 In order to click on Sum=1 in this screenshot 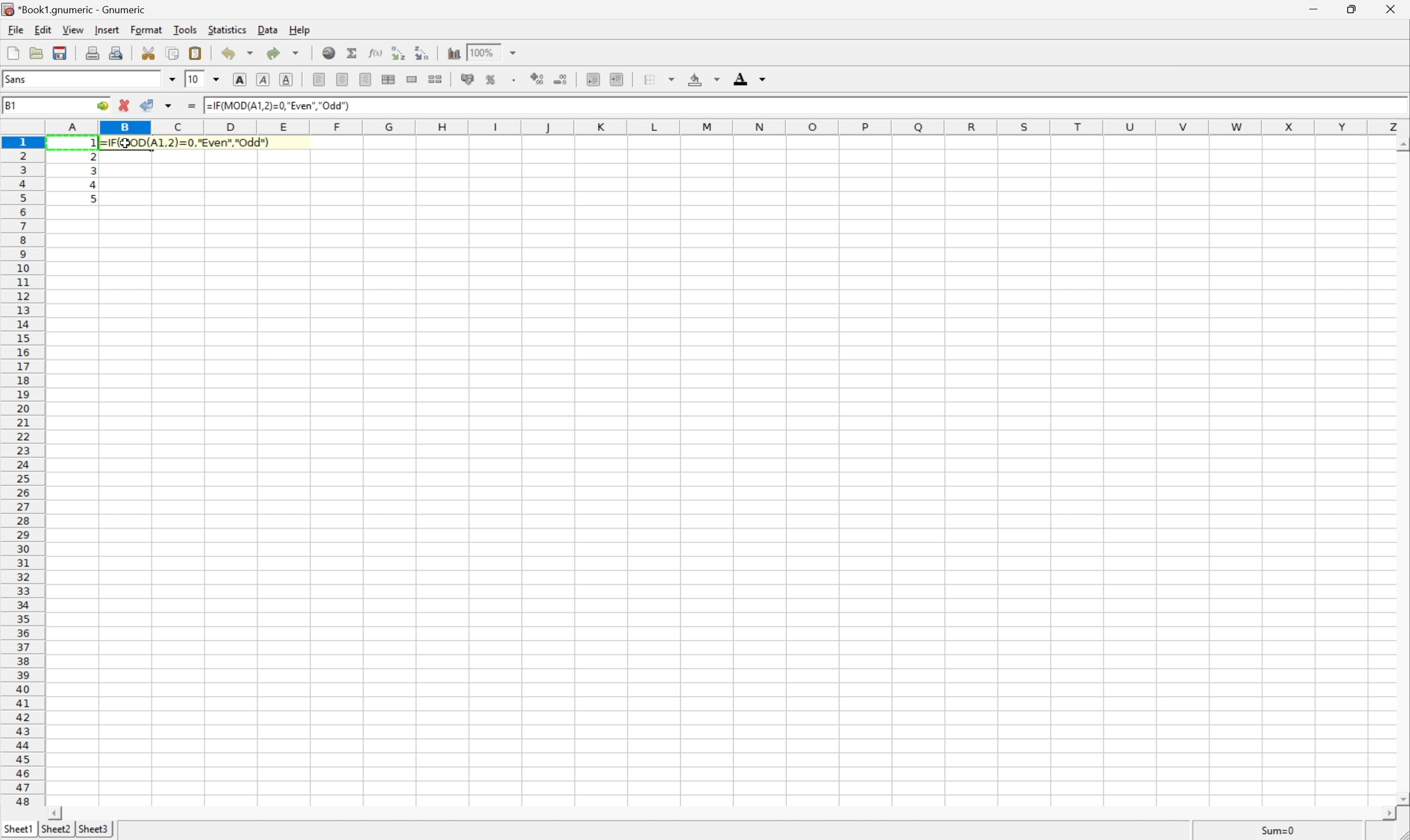, I will do `click(1279, 832)`.